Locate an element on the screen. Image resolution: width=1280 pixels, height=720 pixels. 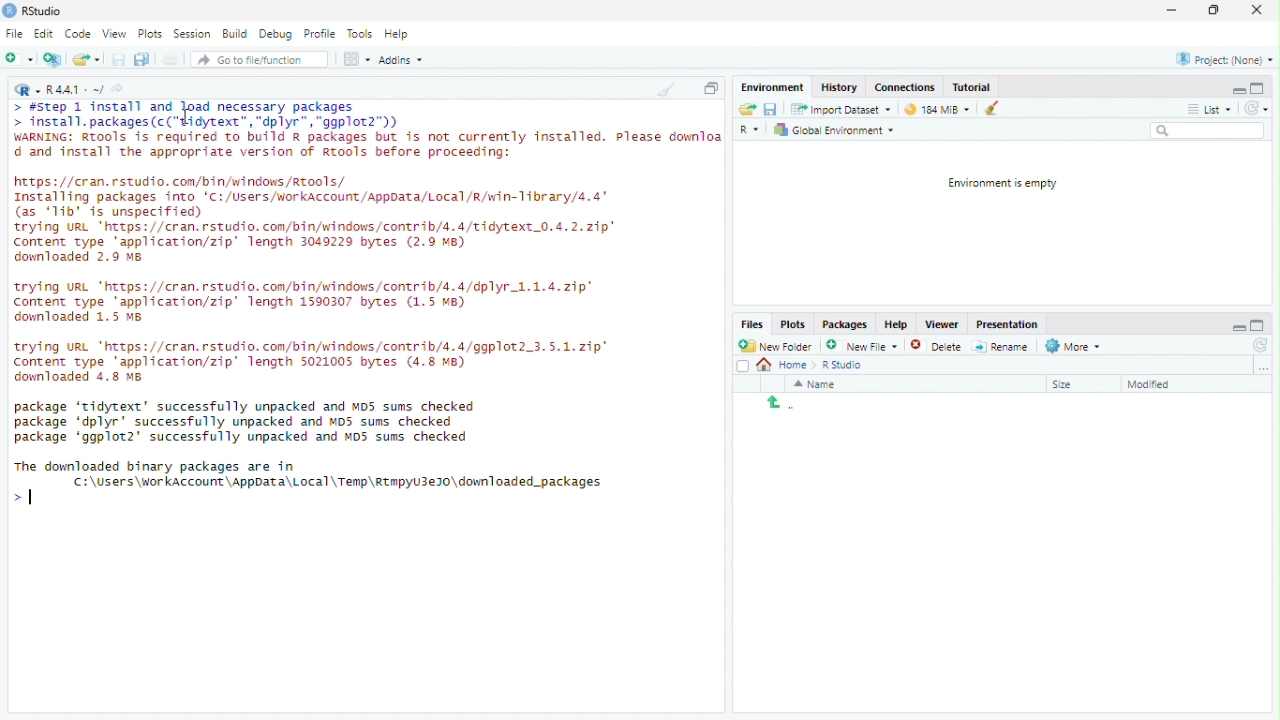
Modified is located at coordinates (1153, 385).